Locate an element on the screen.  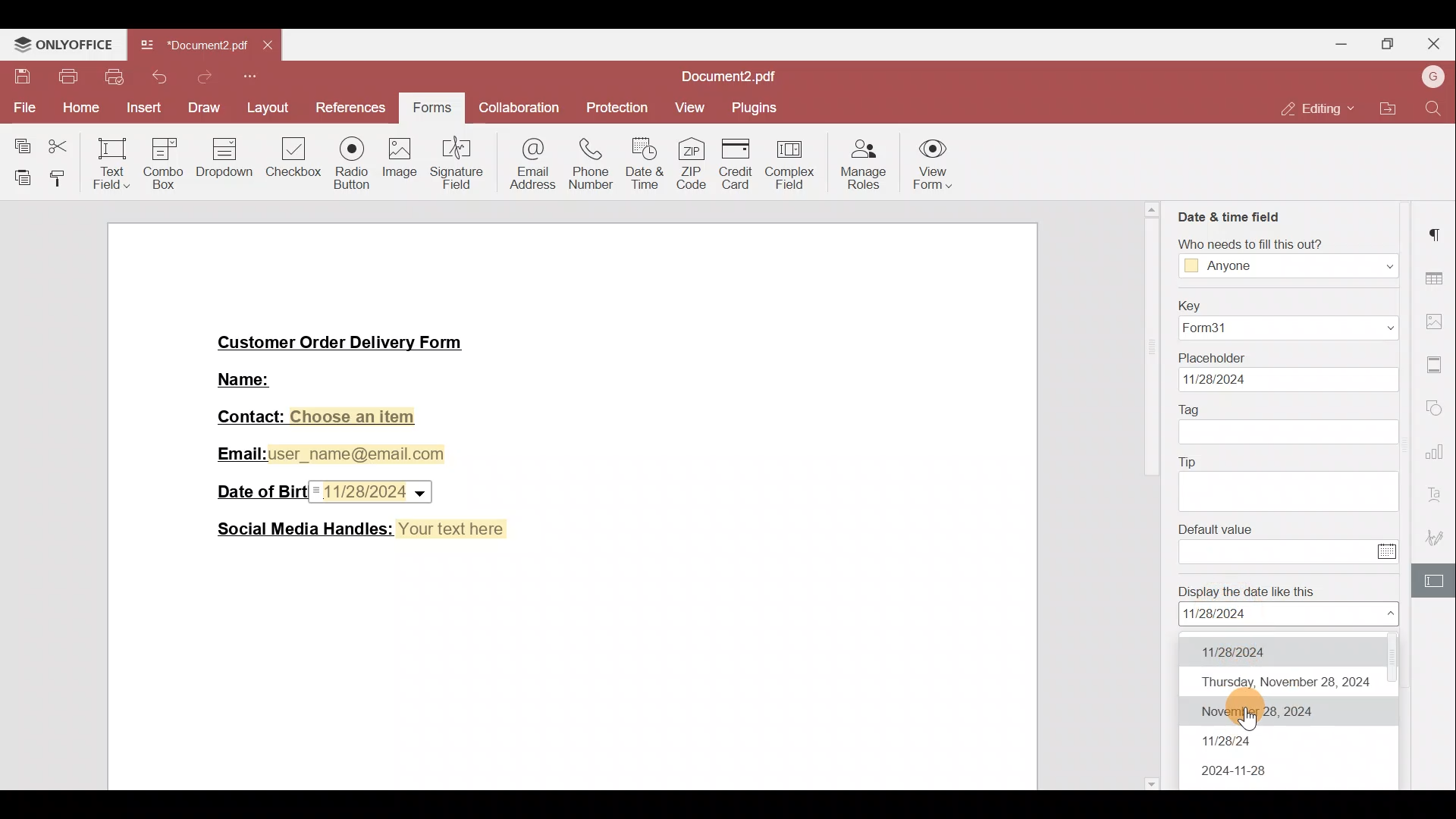
Social Media Handles: Your text here is located at coordinates (362, 528).